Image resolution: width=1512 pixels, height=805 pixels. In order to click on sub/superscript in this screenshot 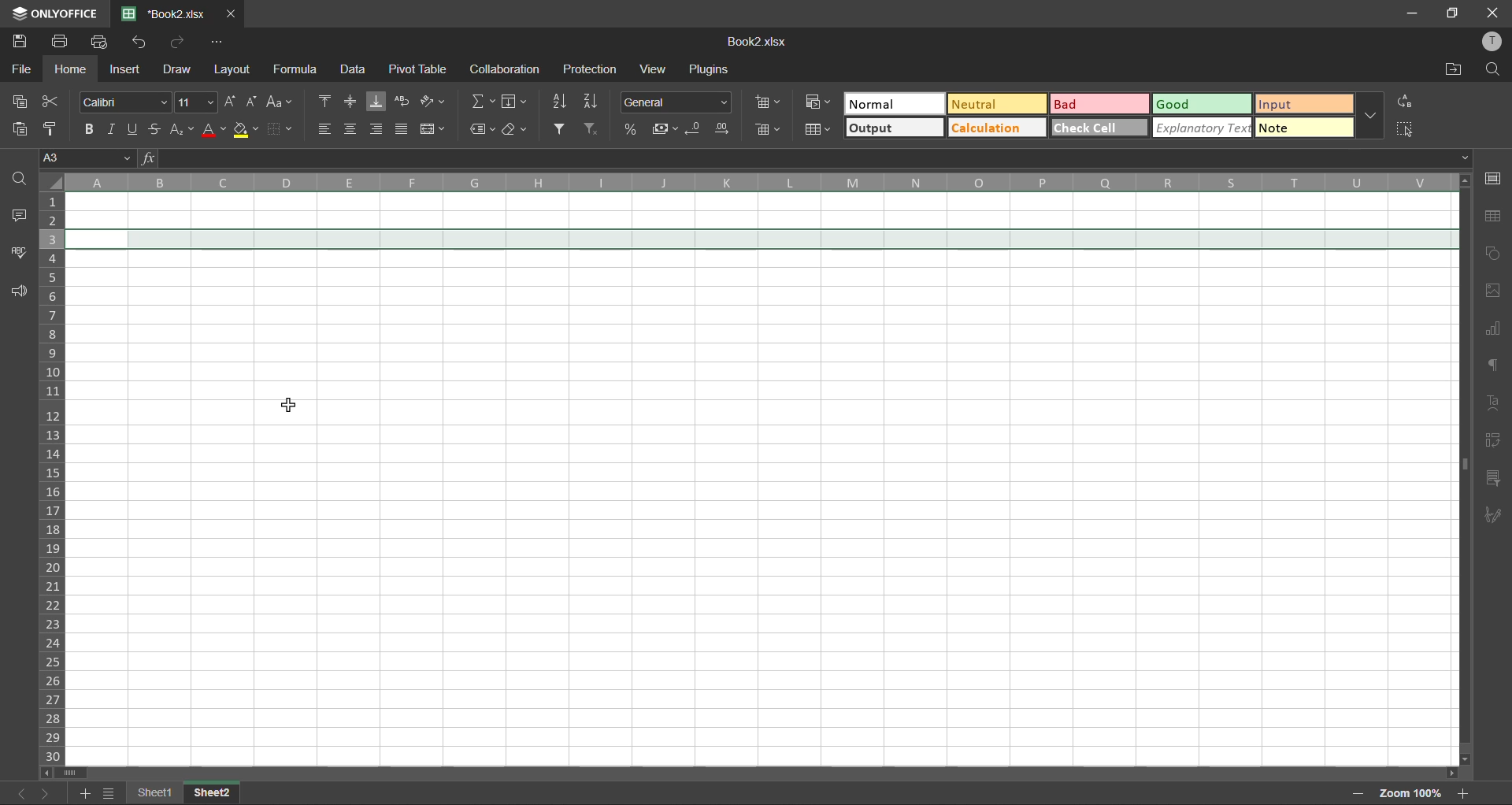, I will do `click(183, 127)`.